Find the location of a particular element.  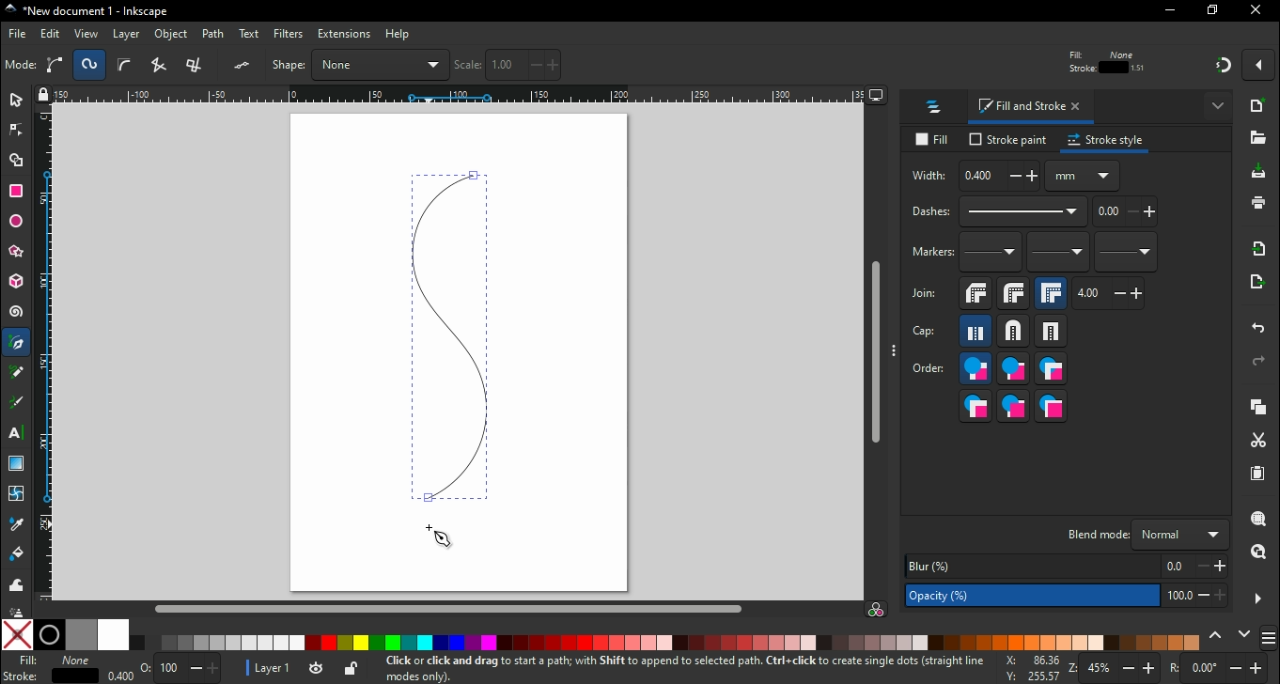

zoom selection is located at coordinates (1261, 520).